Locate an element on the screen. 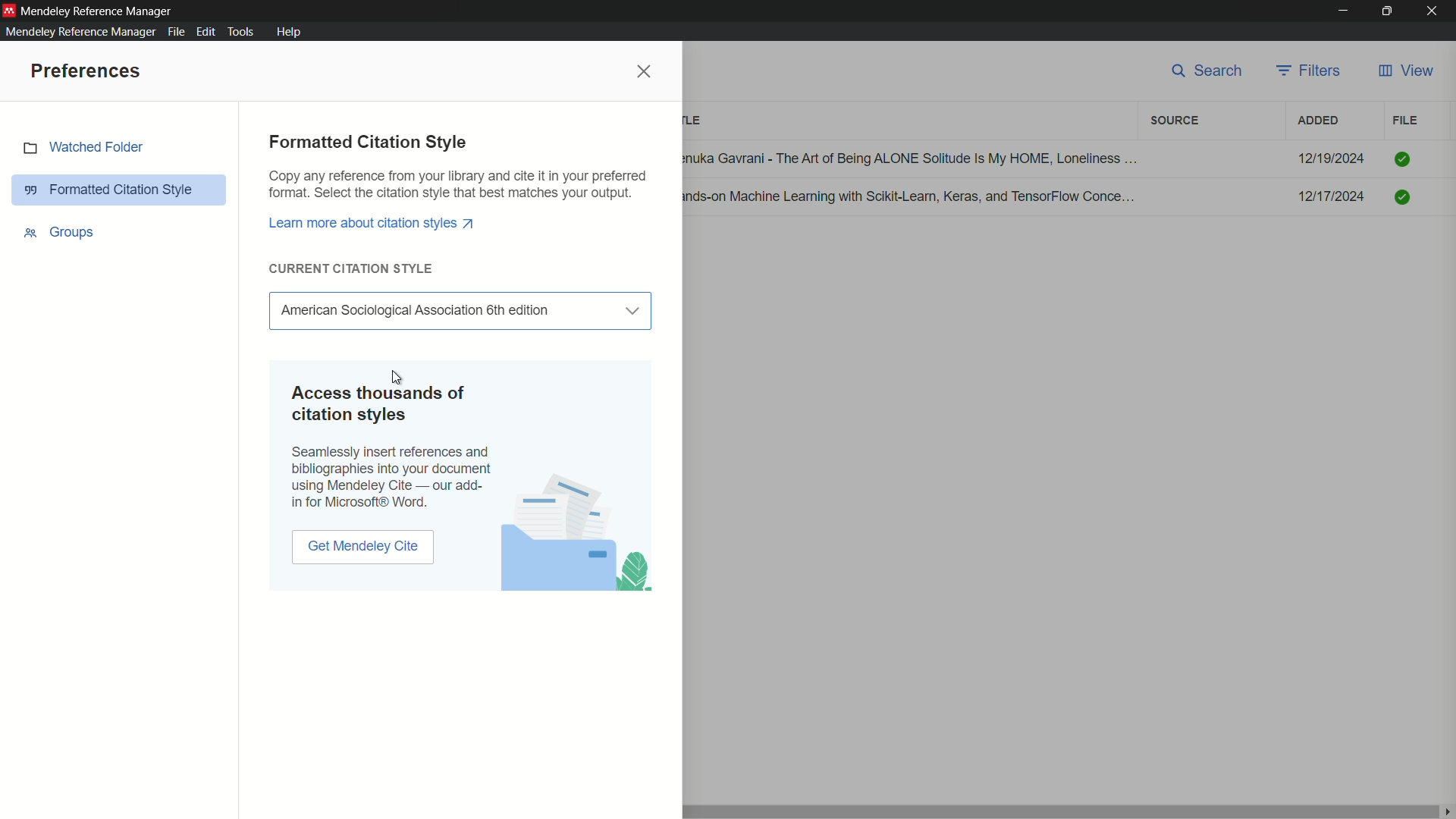 Image resolution: width=1456 pixels, height=819 pixels. mendeley reference manager is located at coordinates (80, 32).